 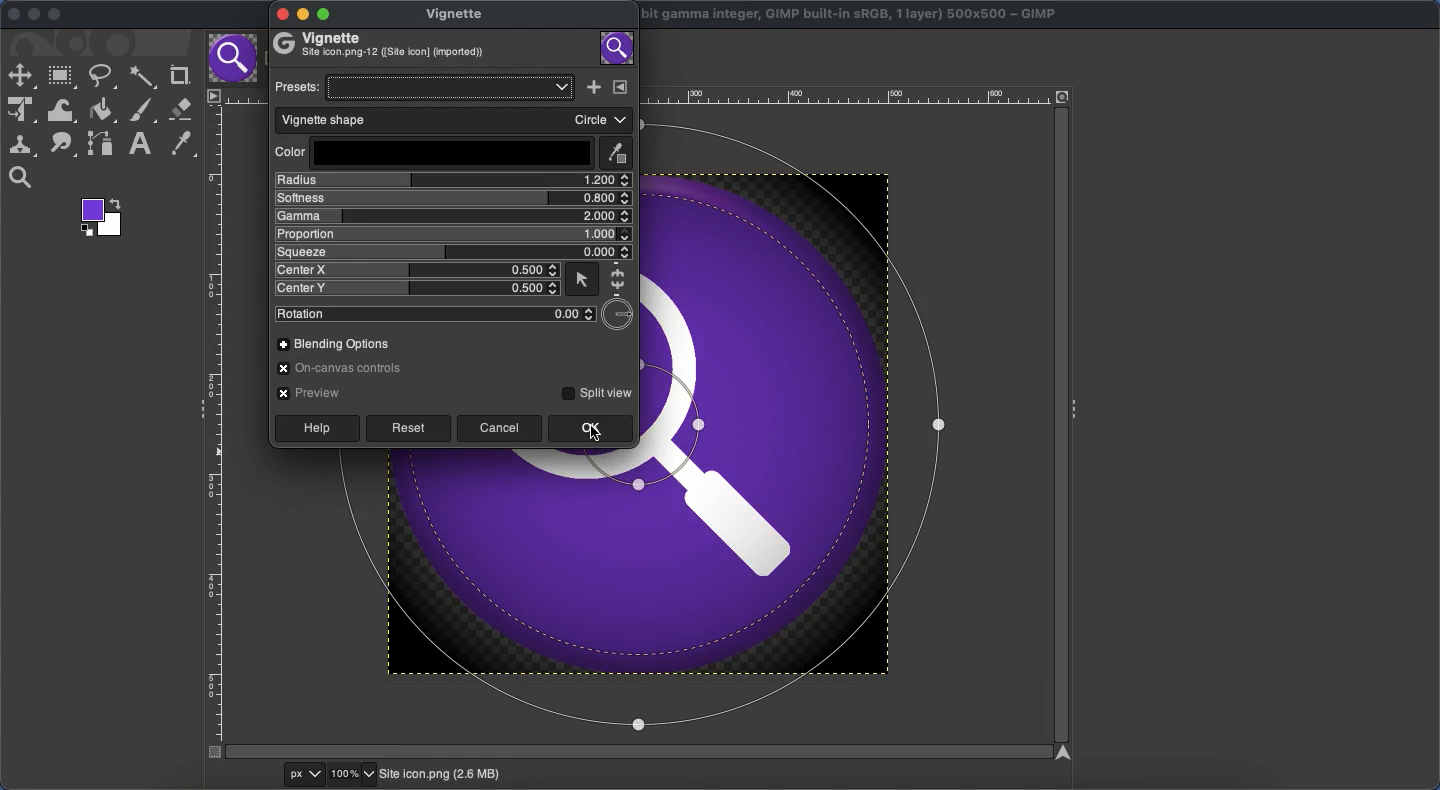 What do you see at coordinates (449, 252) in the screenshot?
I see `Squeeze` at bounding box center [449, 252].